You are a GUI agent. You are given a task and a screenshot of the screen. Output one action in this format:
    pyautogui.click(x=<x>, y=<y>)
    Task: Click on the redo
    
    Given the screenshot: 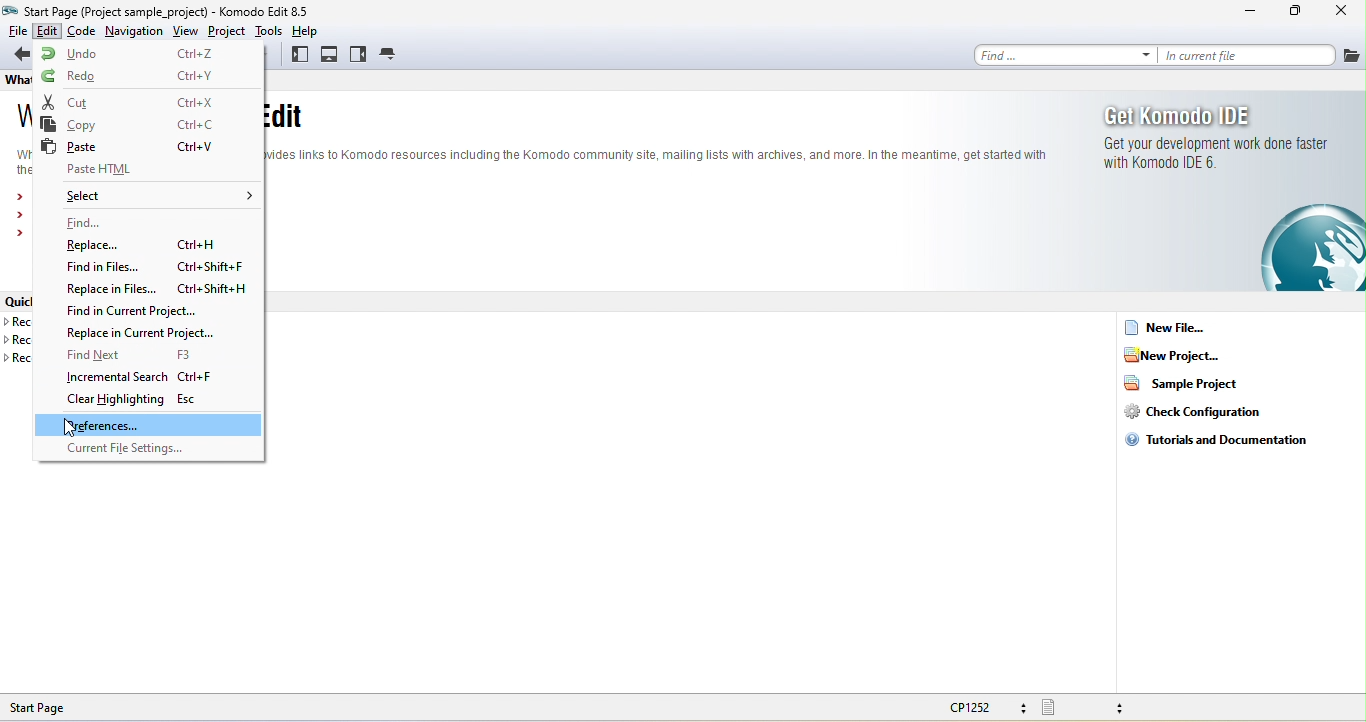 What is the action you would take?
    pyautogui.click(x=137, y=76)
    